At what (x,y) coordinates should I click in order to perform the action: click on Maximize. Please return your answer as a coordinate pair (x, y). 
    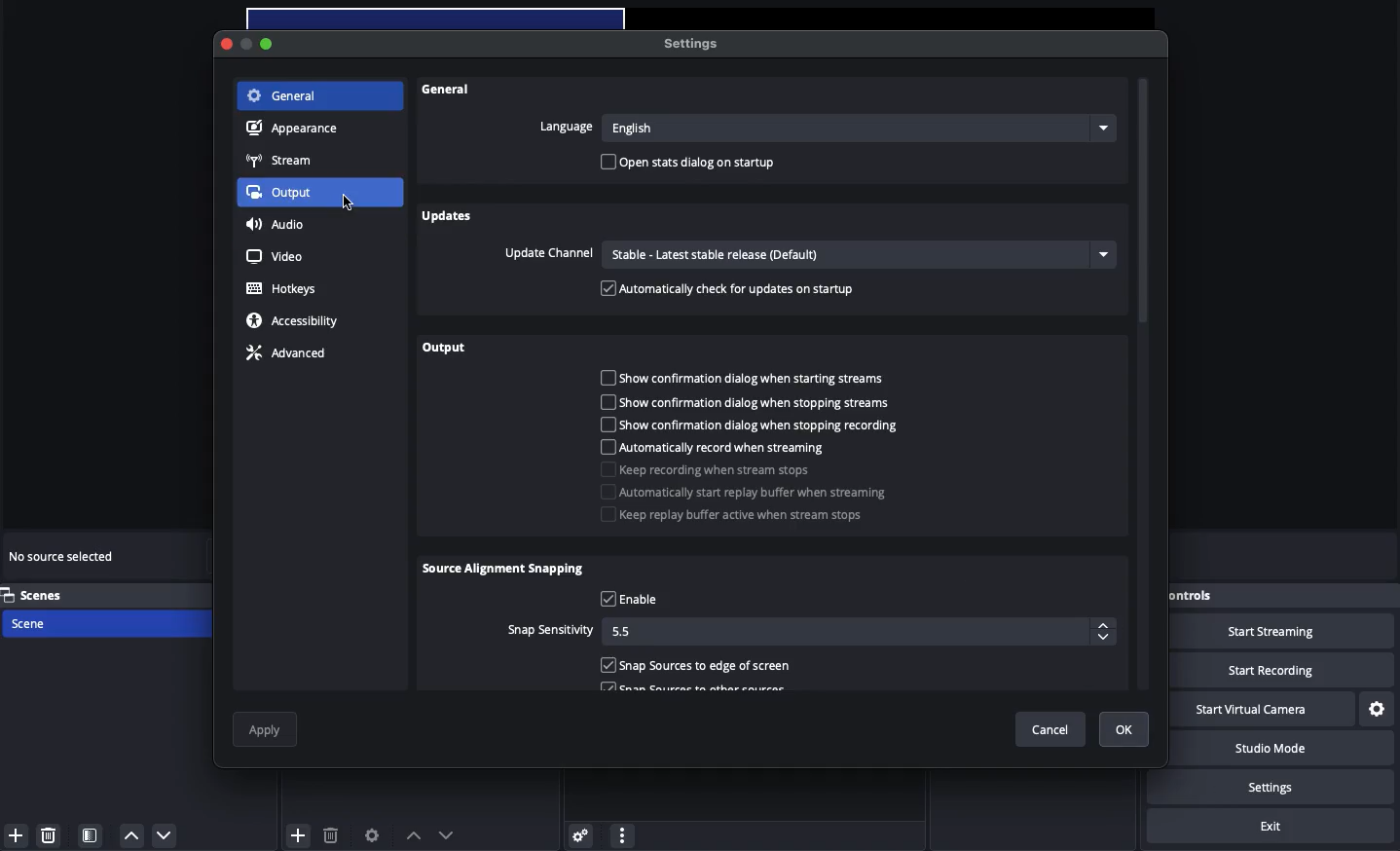
    Looking at the image, I should click on (276, 47).